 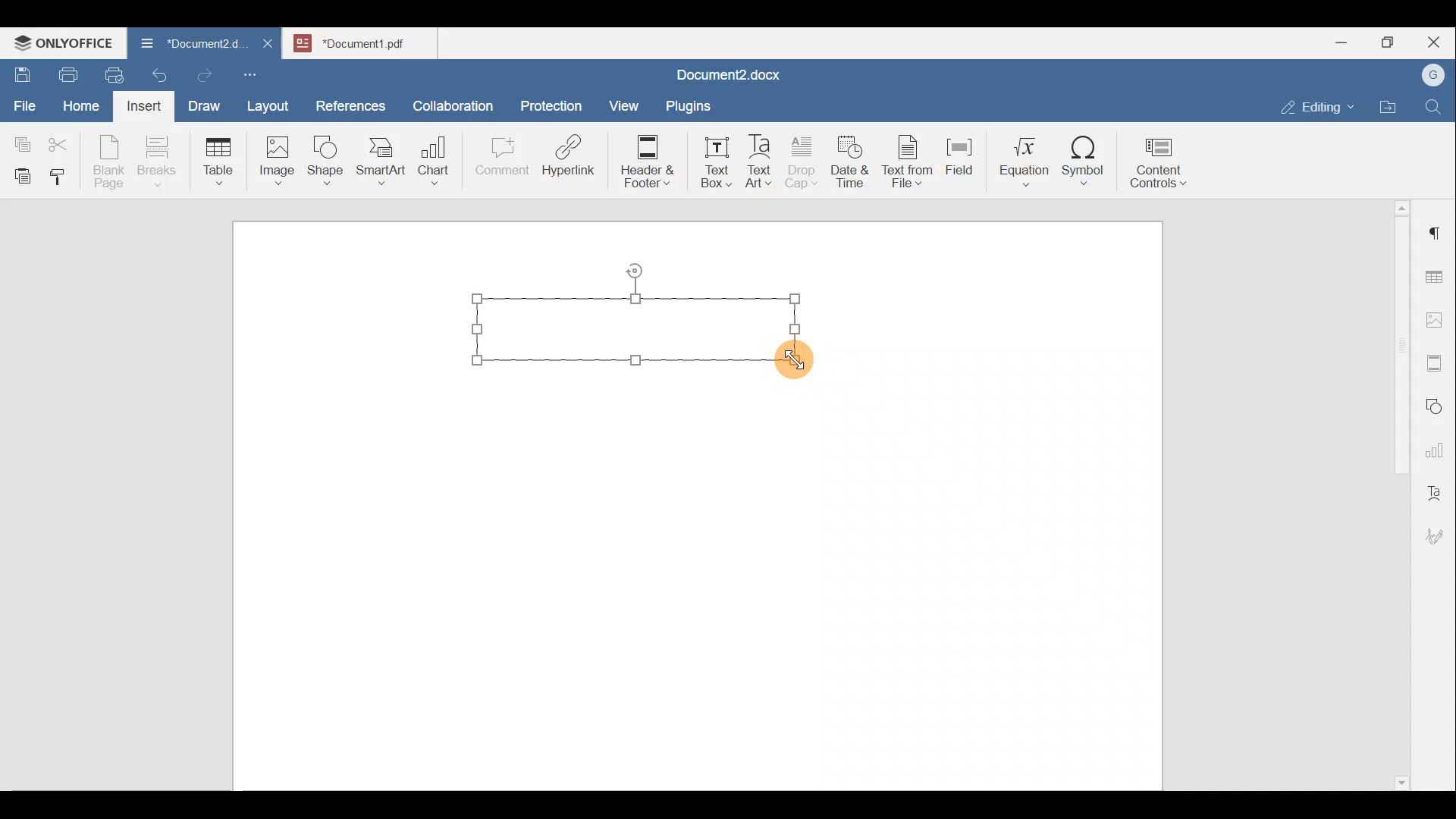 I want to click on Draw, so click(x=202, y=102).